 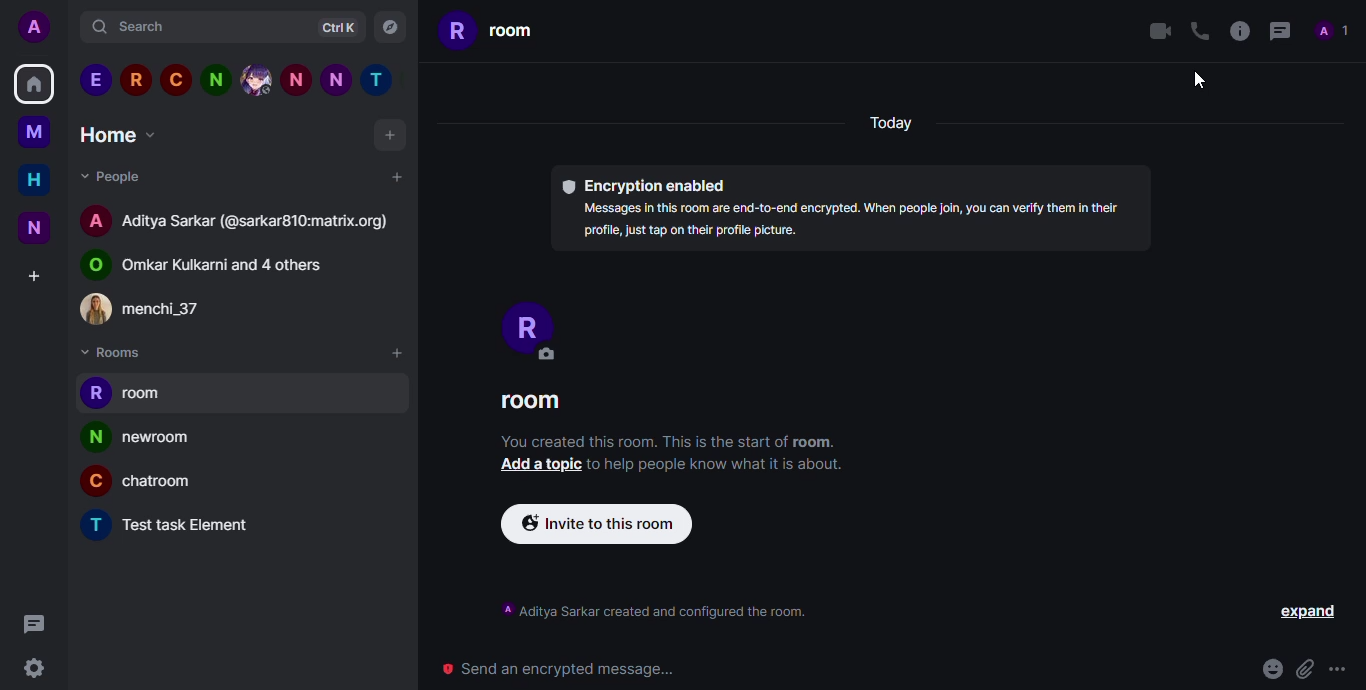 What do you see at coordinates (562, 669) in the screenshot?
I see `send encrypted message` at bounding box center [562, 669].